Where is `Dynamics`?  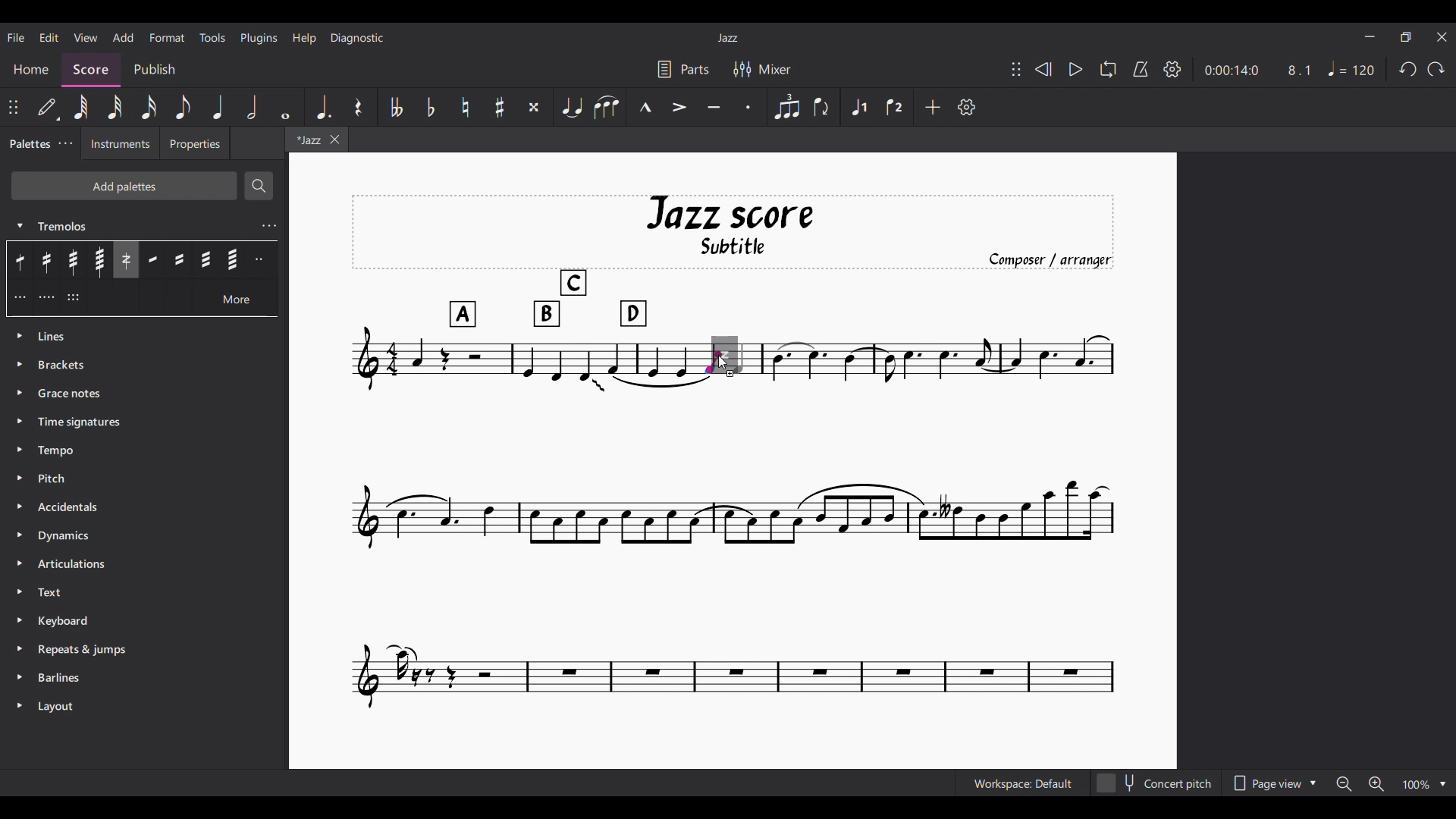
Dynamics is located at coordinates (145, 536).